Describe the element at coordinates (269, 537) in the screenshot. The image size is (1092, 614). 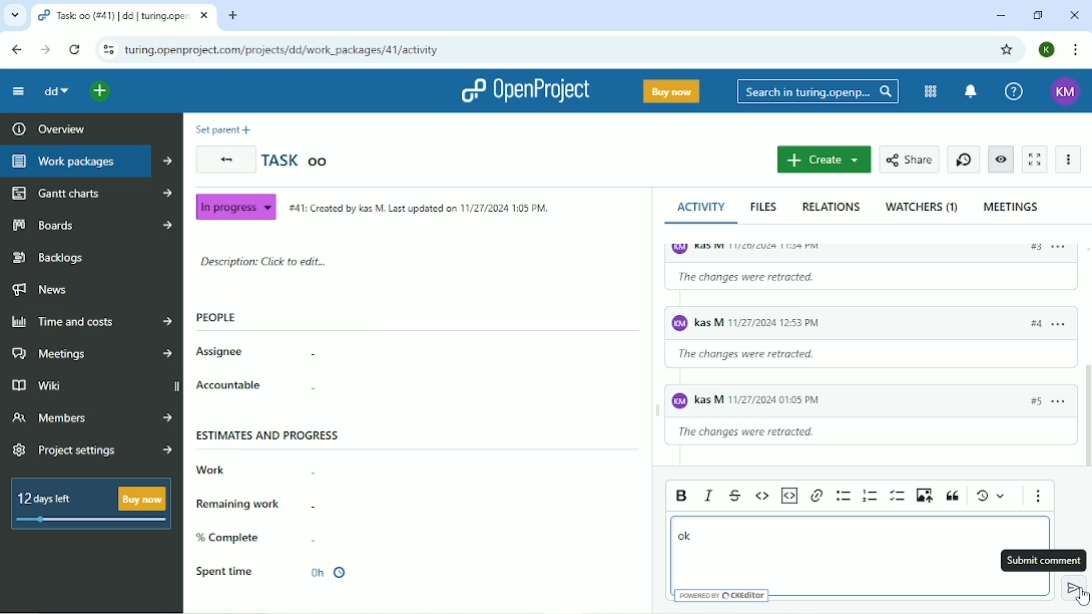
I see `% Complete` at that location.